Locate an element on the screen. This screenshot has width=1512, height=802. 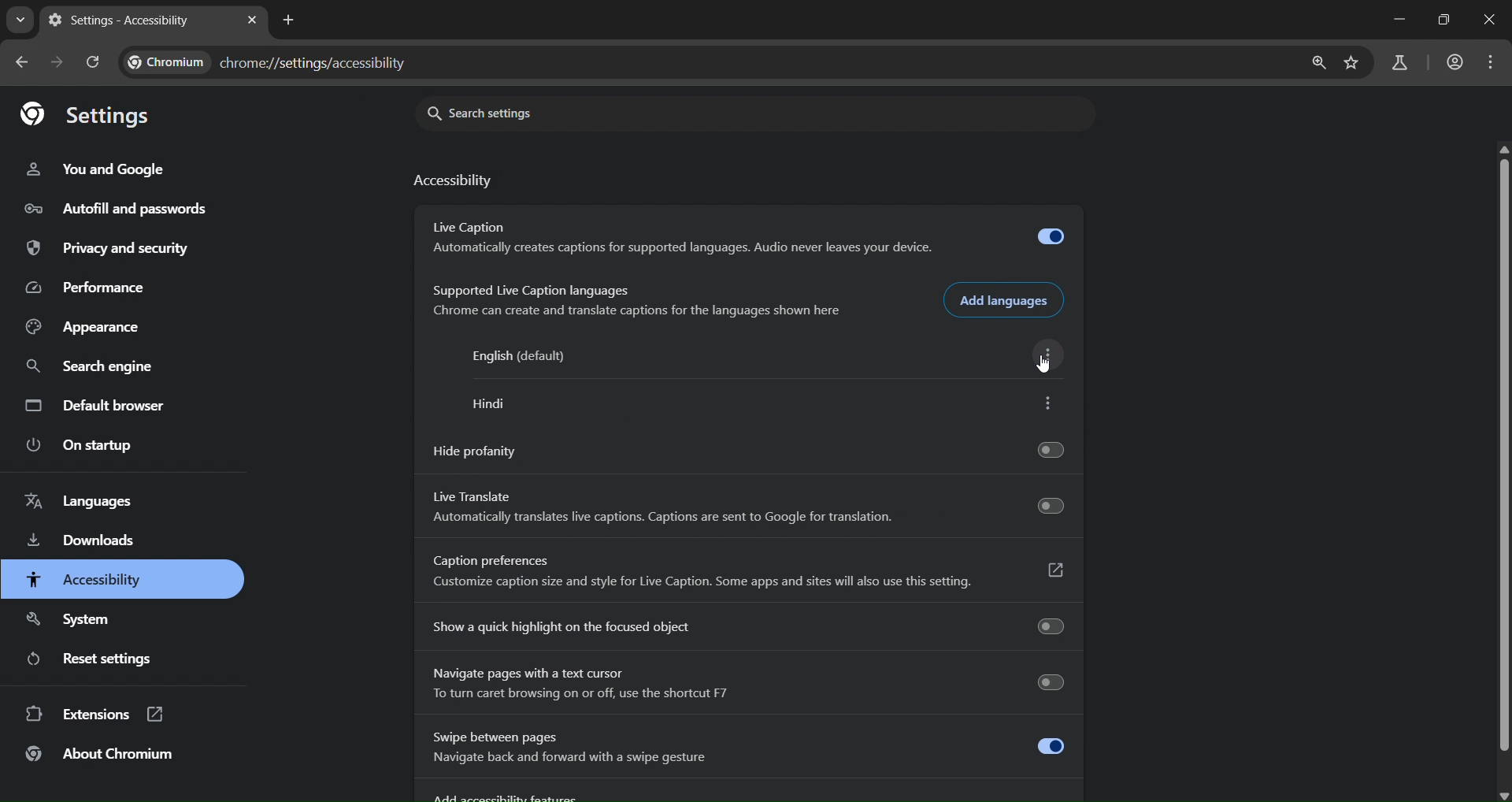
chrome://settings/accessibility is located at coordinates (316, 65).